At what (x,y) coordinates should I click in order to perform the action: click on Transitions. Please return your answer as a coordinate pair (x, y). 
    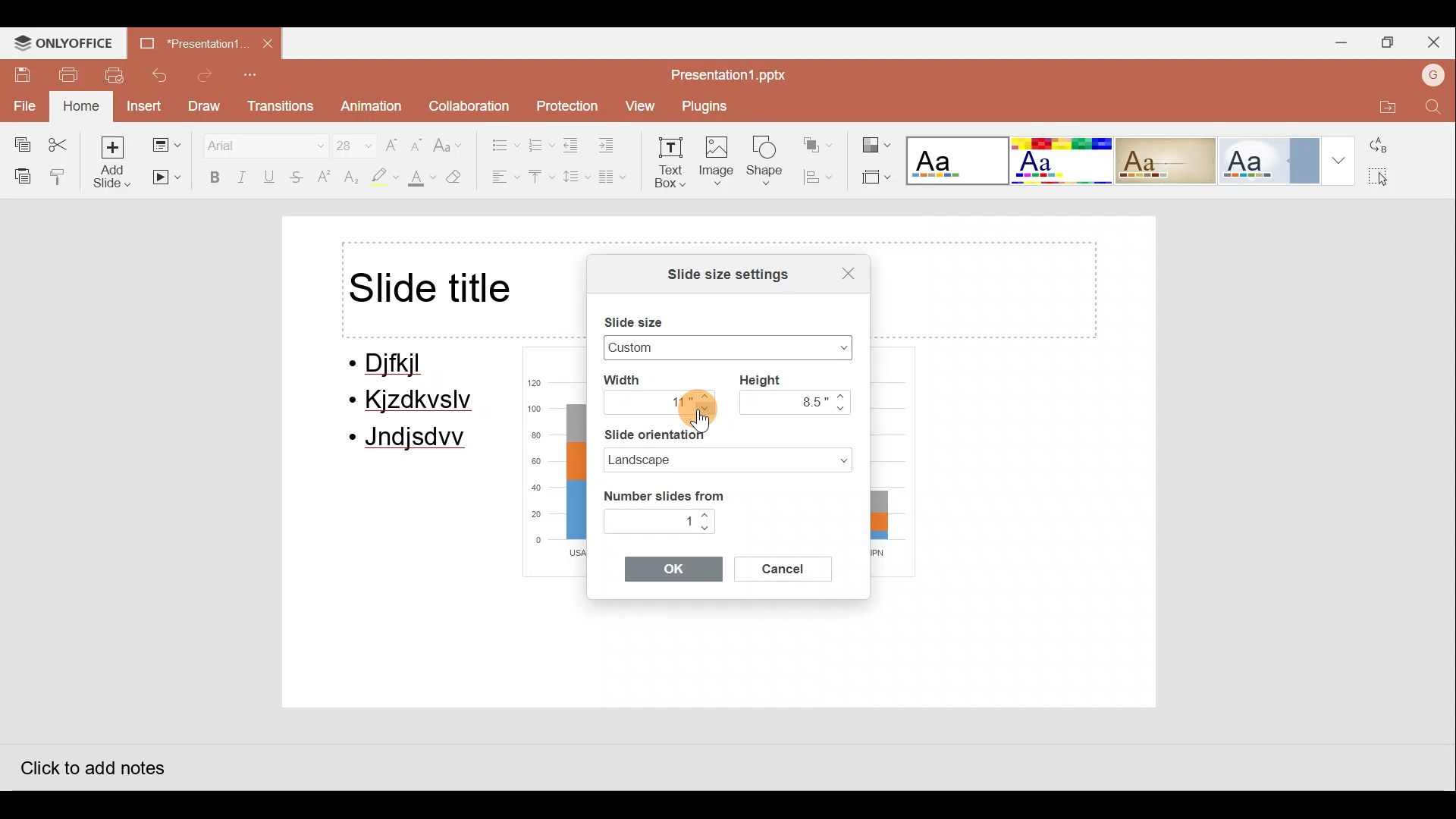
    Looking at the image, I should click on (279, 107).